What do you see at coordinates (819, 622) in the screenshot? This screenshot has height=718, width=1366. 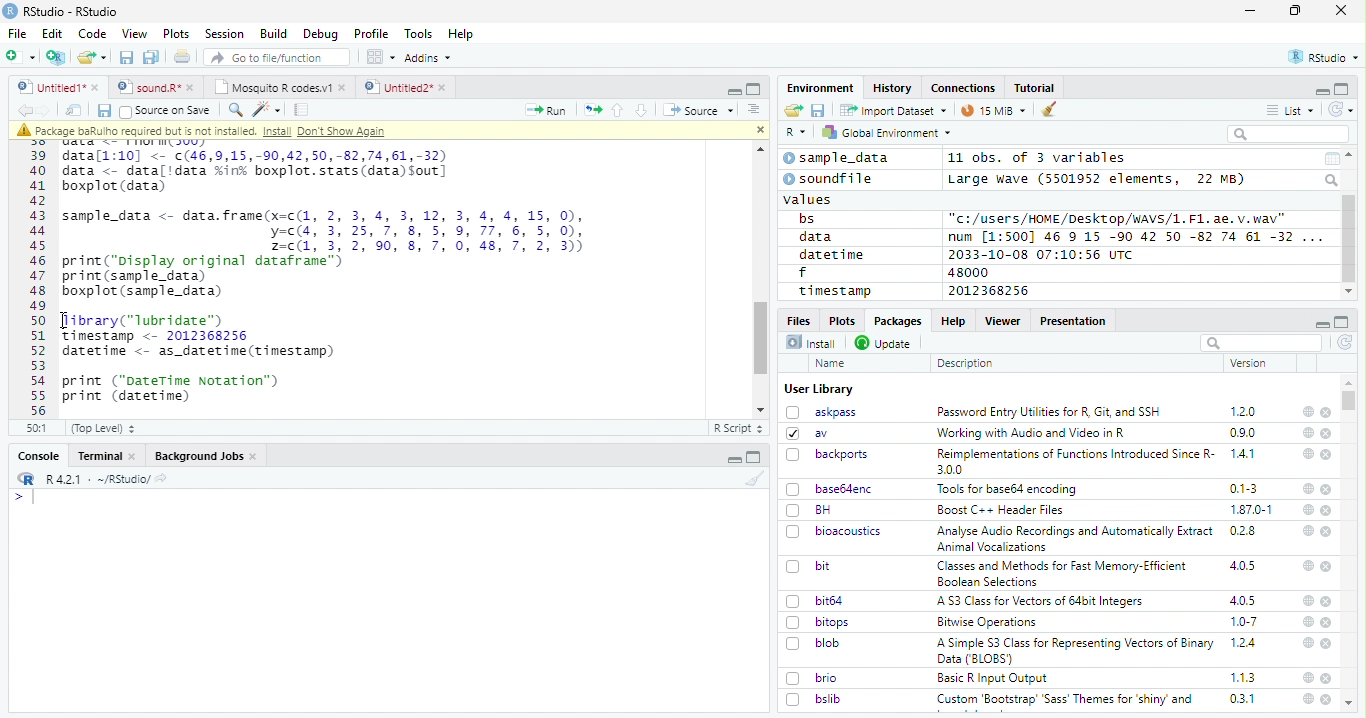 I see `bitops` at bounding box center [819, 622].